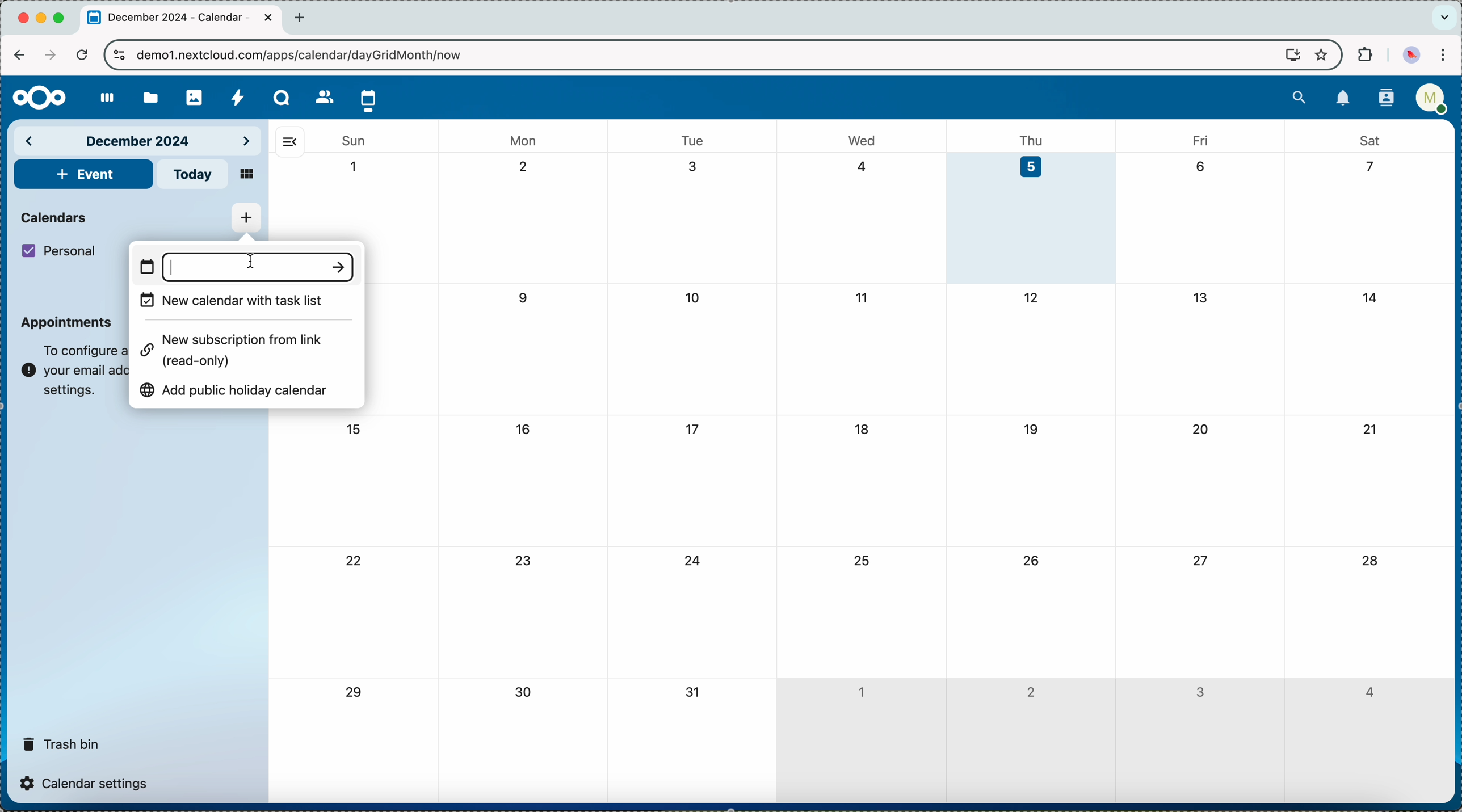 This screenshot has width=1462, height=812. I want to click on URL, so click(309, 54).